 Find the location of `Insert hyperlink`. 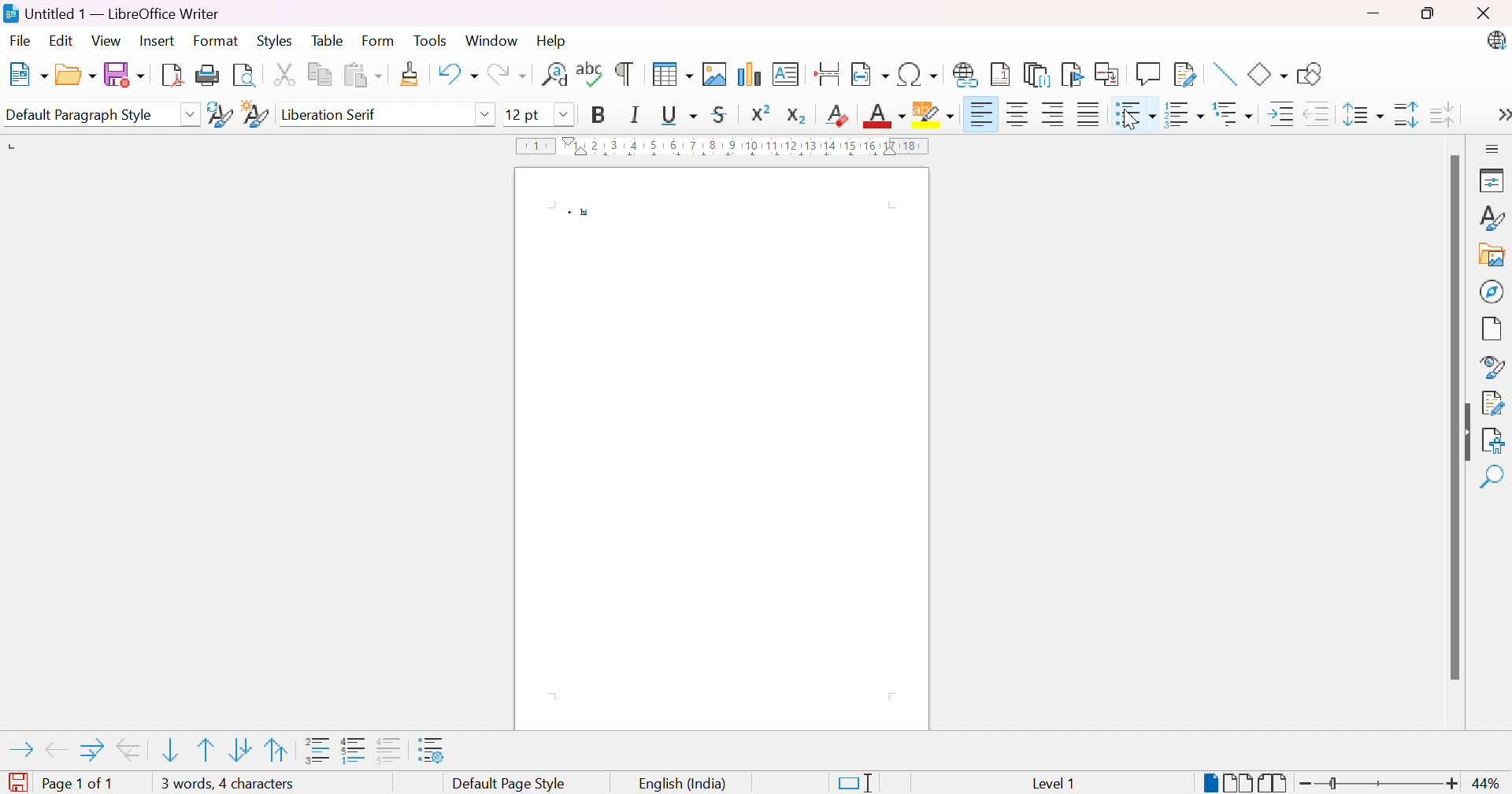

Insert hyperlink is located at coordinates (966, 76).